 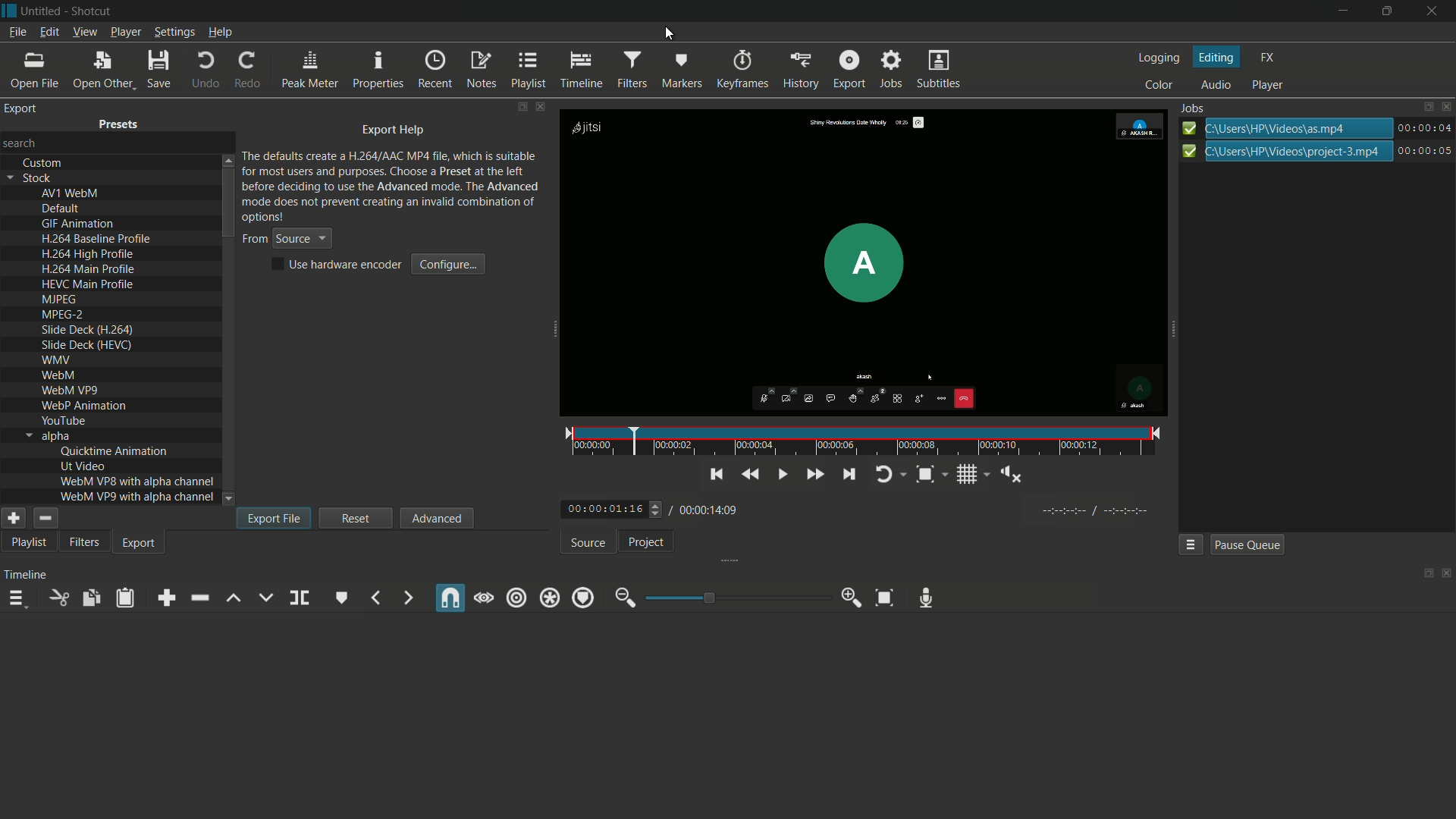 What do you see at coordinates (585, 543) in the screenshot?
I see `source` at bounding box center [585, 543].